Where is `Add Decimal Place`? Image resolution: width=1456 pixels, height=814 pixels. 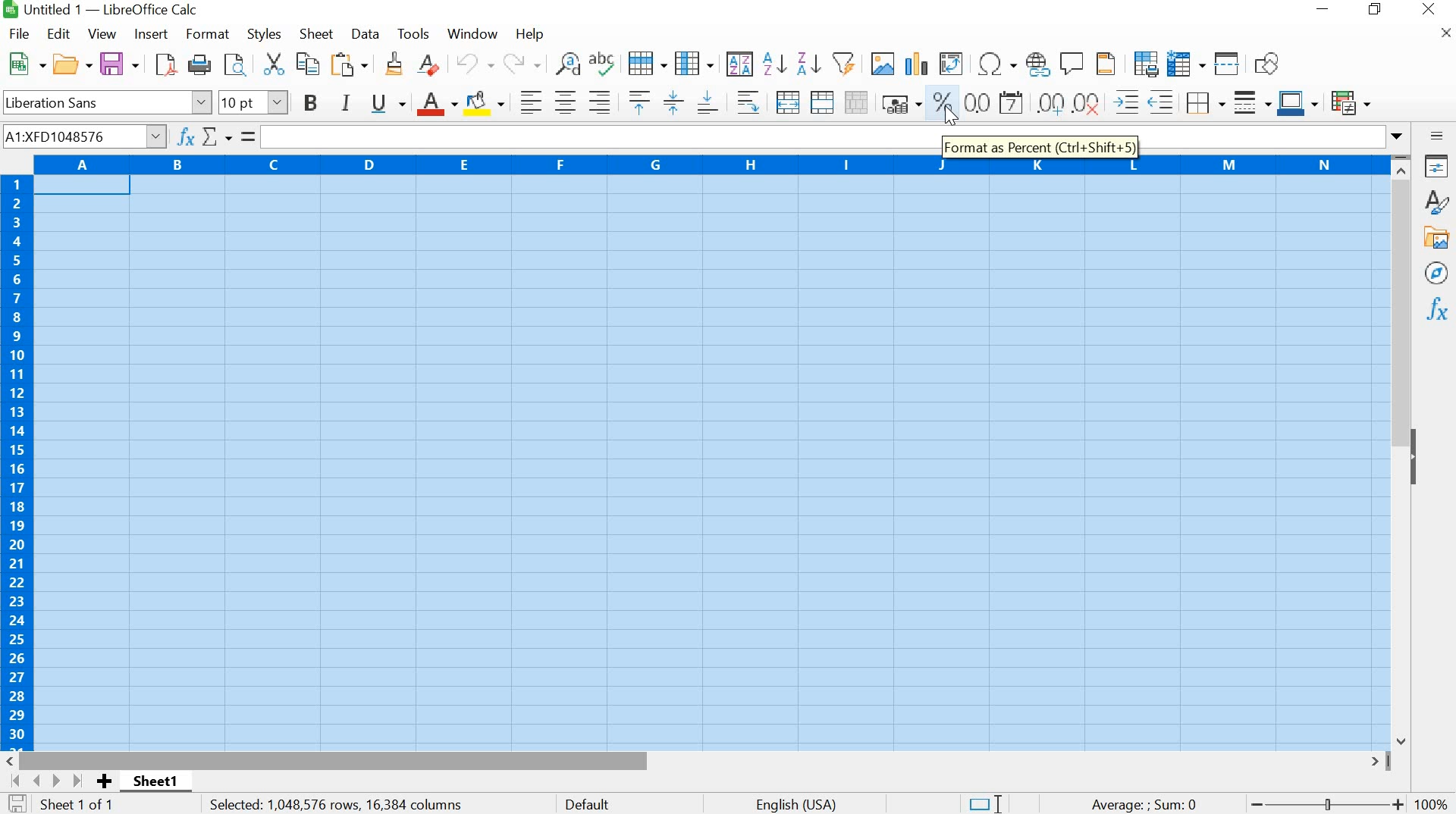
Add Decimal Place is located at coordinates (1052, 102).